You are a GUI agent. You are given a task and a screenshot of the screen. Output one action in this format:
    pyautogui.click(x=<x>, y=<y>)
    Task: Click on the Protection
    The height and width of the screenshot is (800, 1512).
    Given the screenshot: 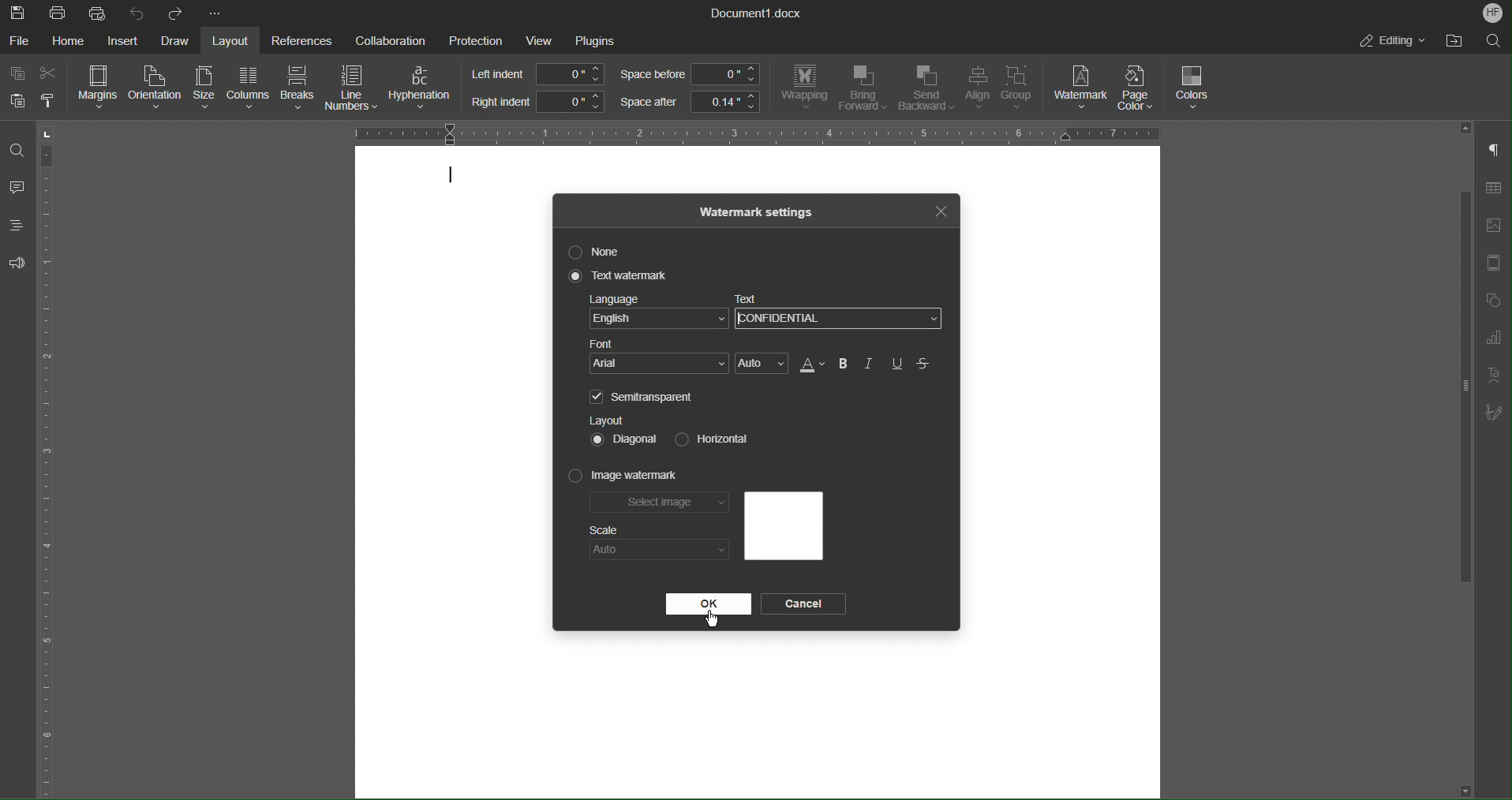 What is the action you would take?
    pyautogui.click(x=476, y=39)
    